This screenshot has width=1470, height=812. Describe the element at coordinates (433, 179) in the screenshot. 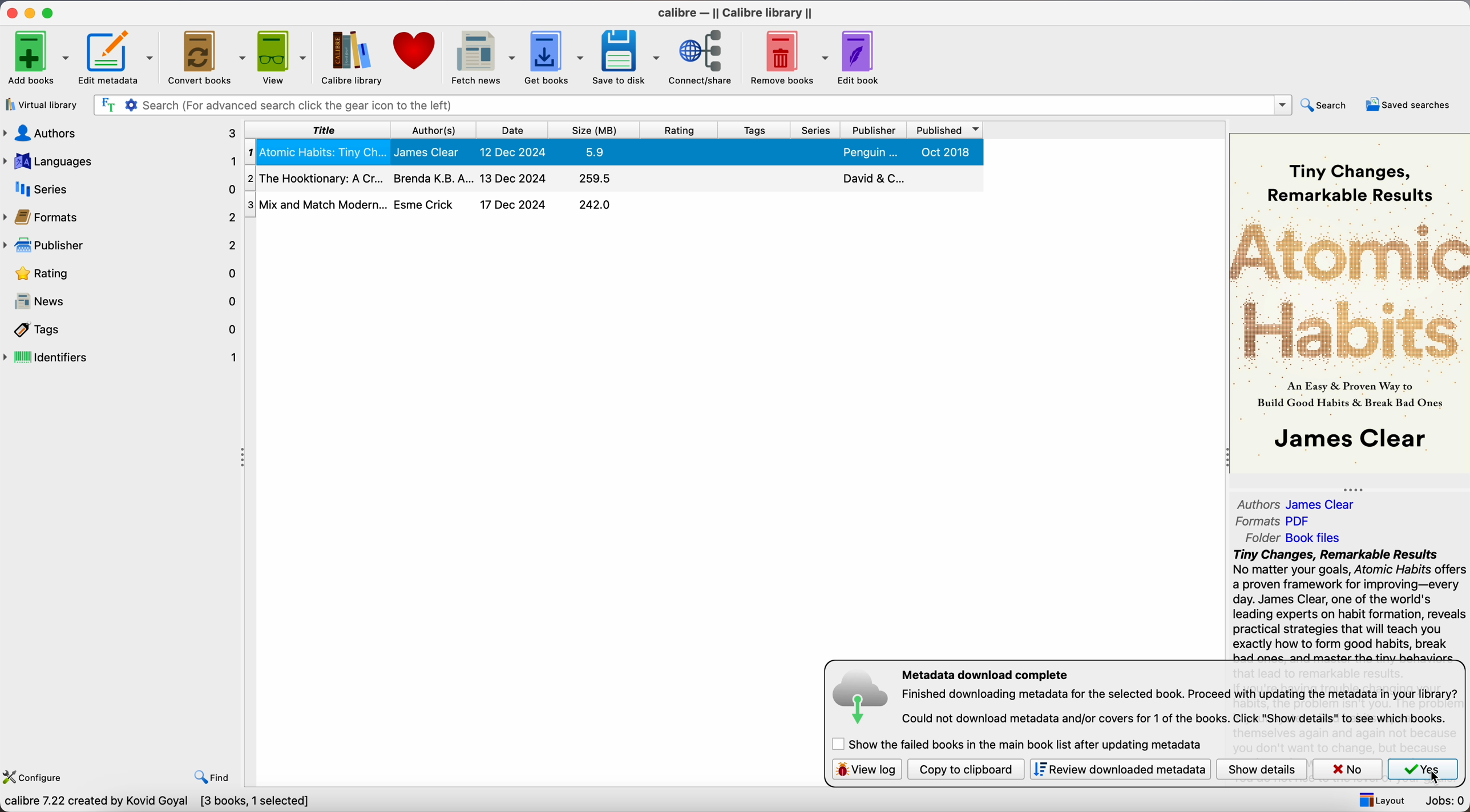

I see `Brenda K.B.A...` at that location.